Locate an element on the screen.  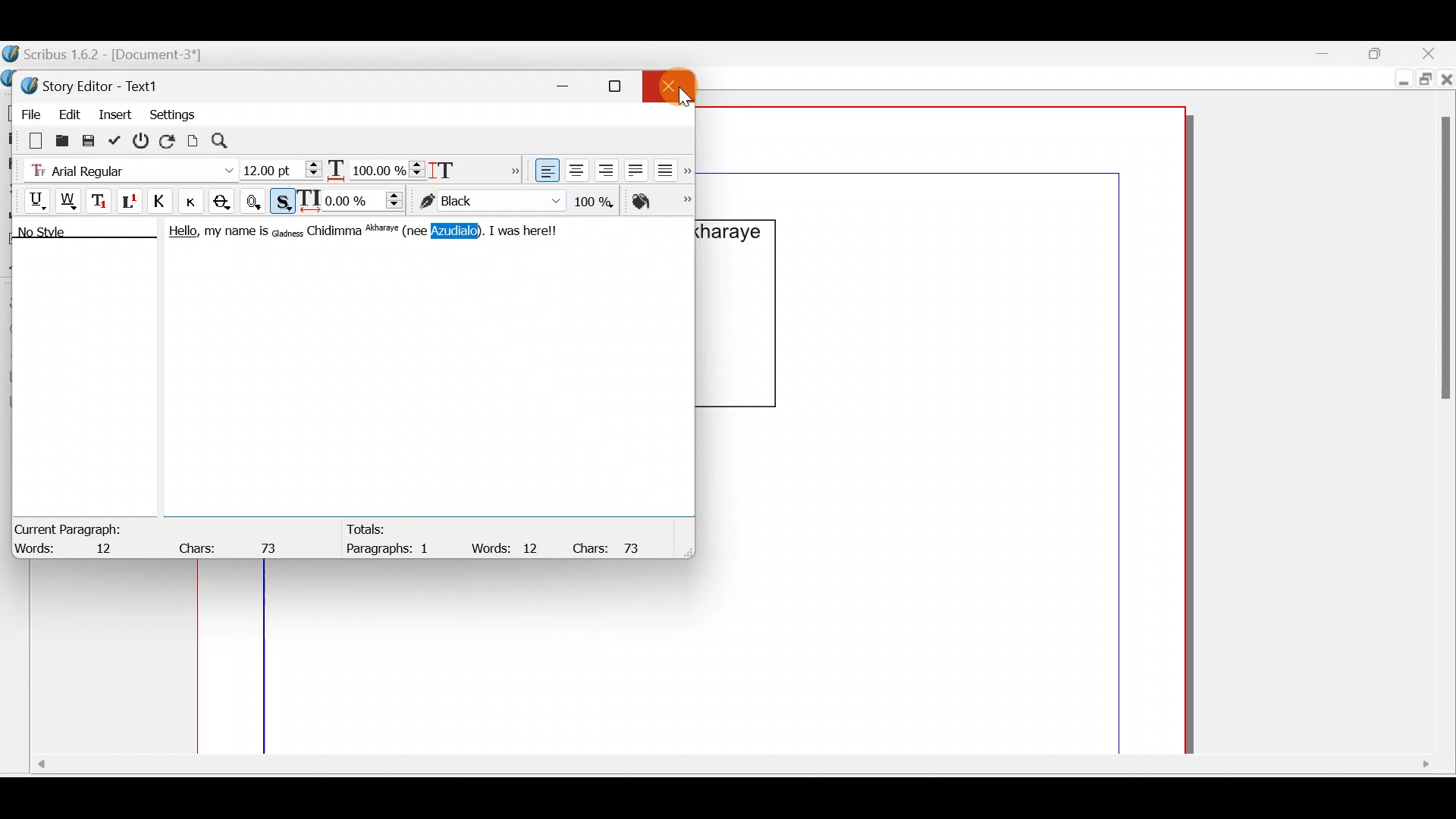
I was herel! is located at coordinates (526, 229).